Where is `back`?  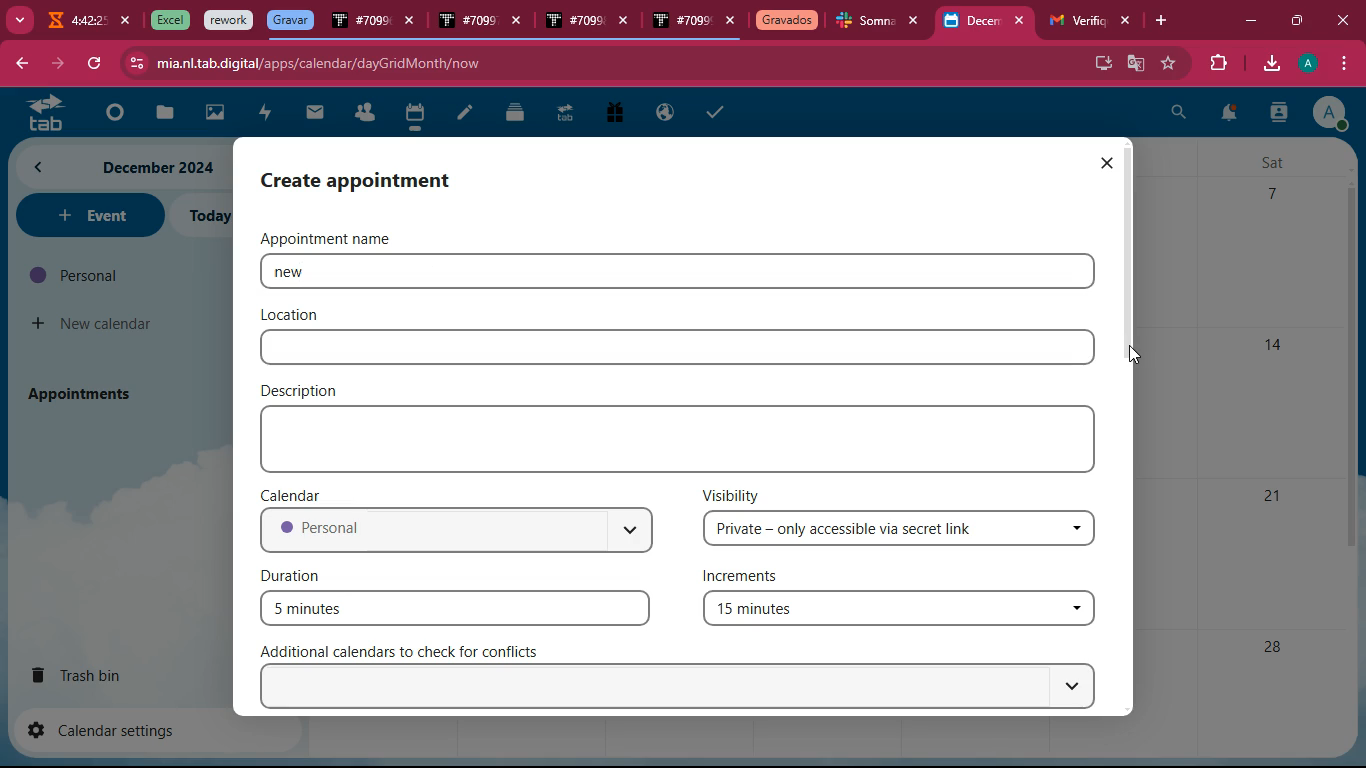 back is located at coordinates (20, 65).